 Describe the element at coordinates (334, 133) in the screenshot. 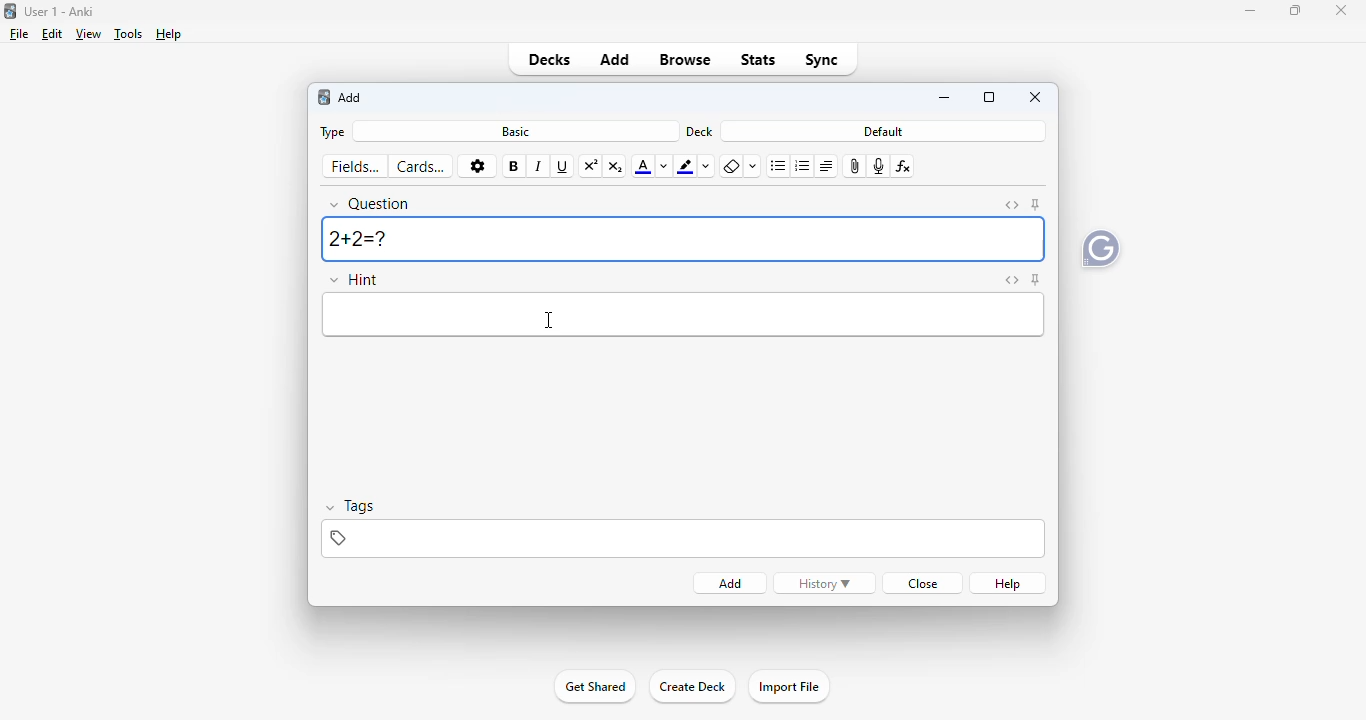

I see `type` at that location.